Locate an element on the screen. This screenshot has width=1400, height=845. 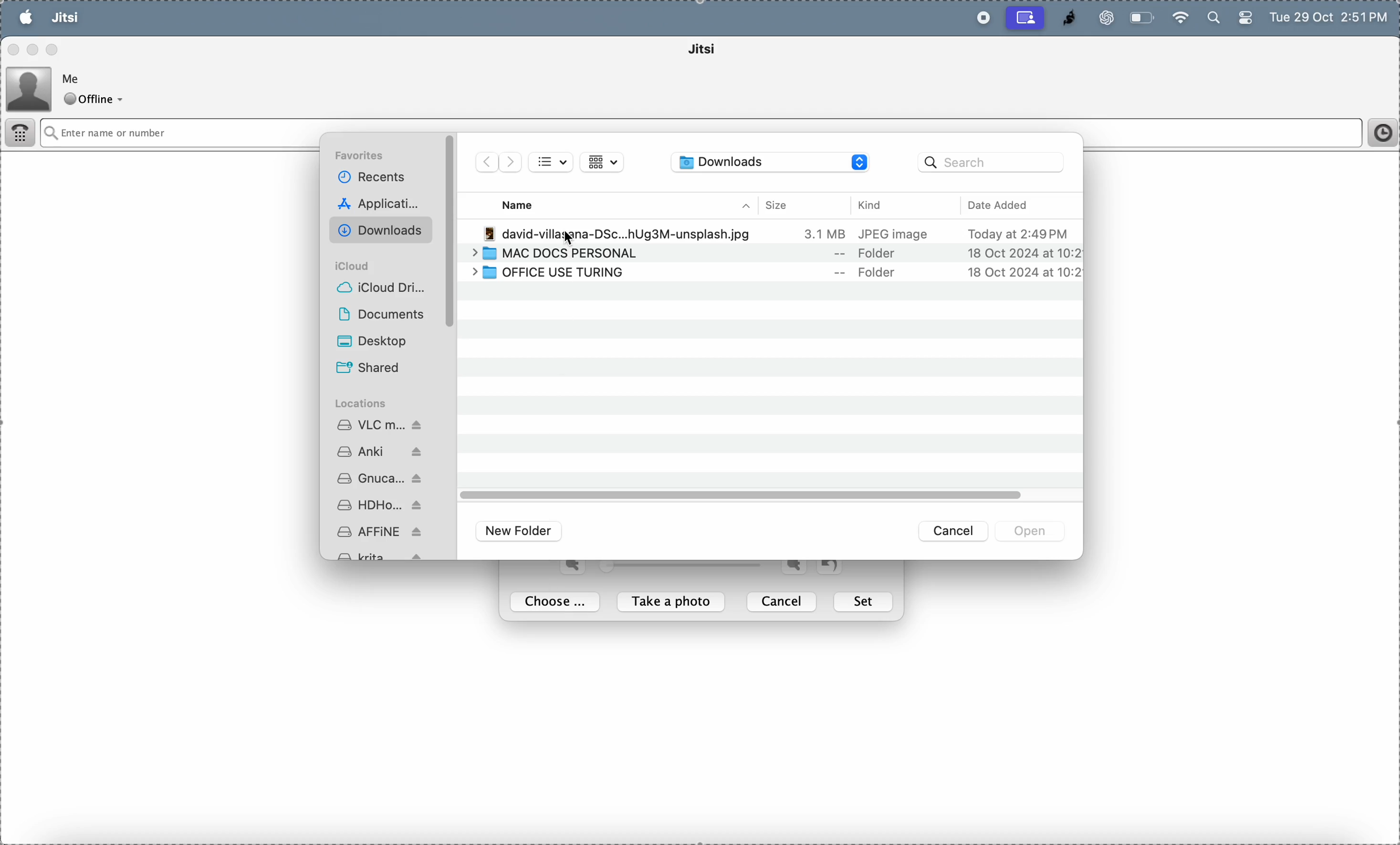
vlc media is located at coordinates (381, 423).